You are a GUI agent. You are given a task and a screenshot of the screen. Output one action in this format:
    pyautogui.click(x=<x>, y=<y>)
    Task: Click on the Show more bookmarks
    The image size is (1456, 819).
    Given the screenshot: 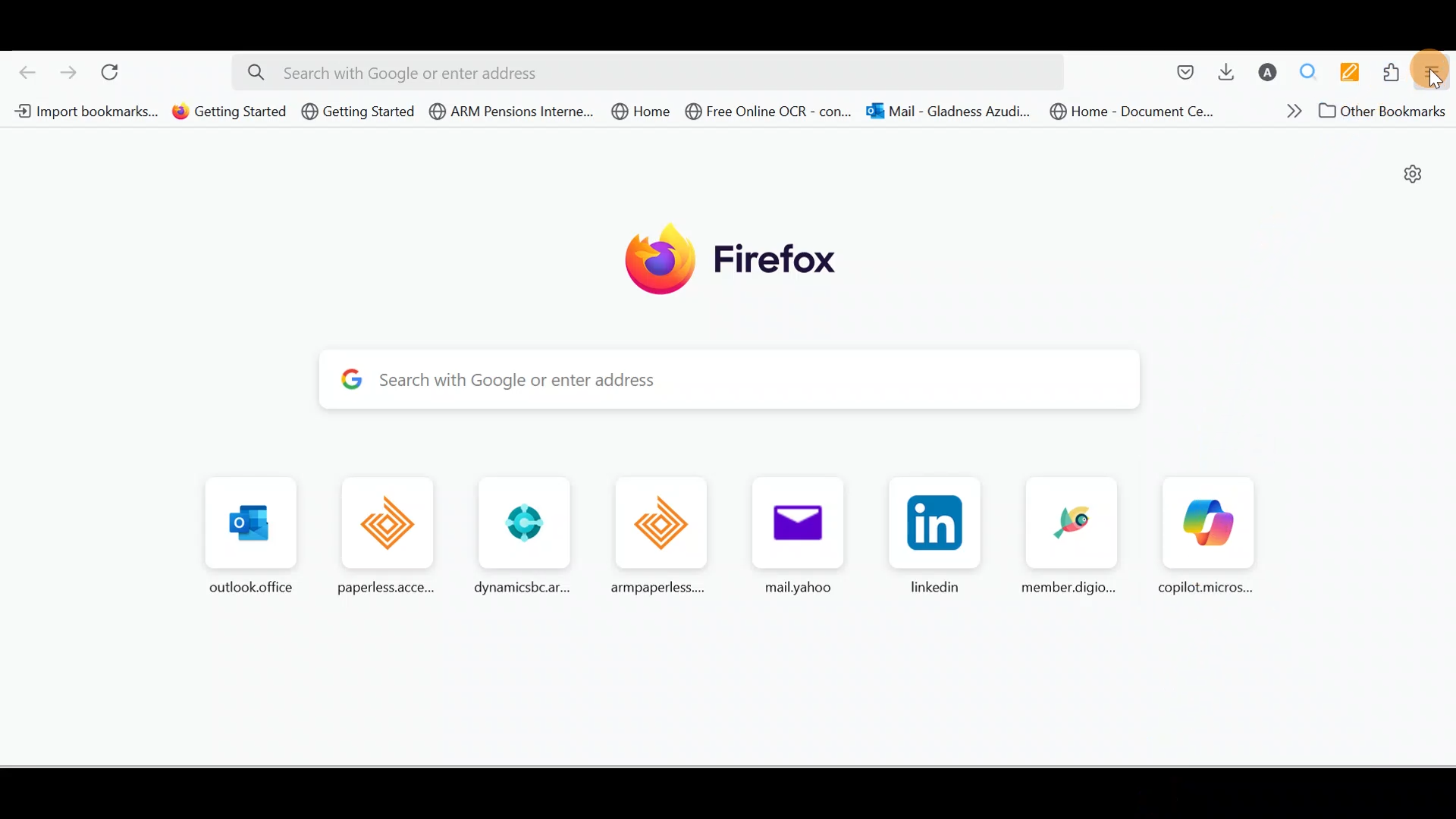 What is the action you would take?
    pyautogui.click(x=1289, y=111)
    